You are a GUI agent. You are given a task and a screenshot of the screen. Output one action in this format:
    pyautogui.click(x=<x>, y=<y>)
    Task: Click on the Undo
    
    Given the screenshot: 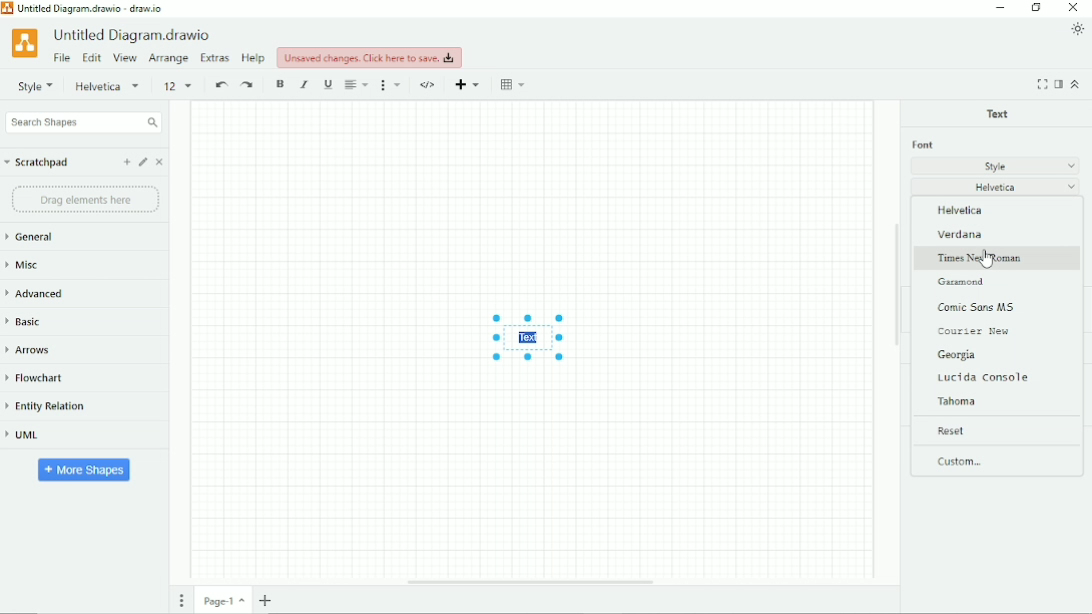 What is the action you would take?
    pyautogui.click(x=220, y=85)
    